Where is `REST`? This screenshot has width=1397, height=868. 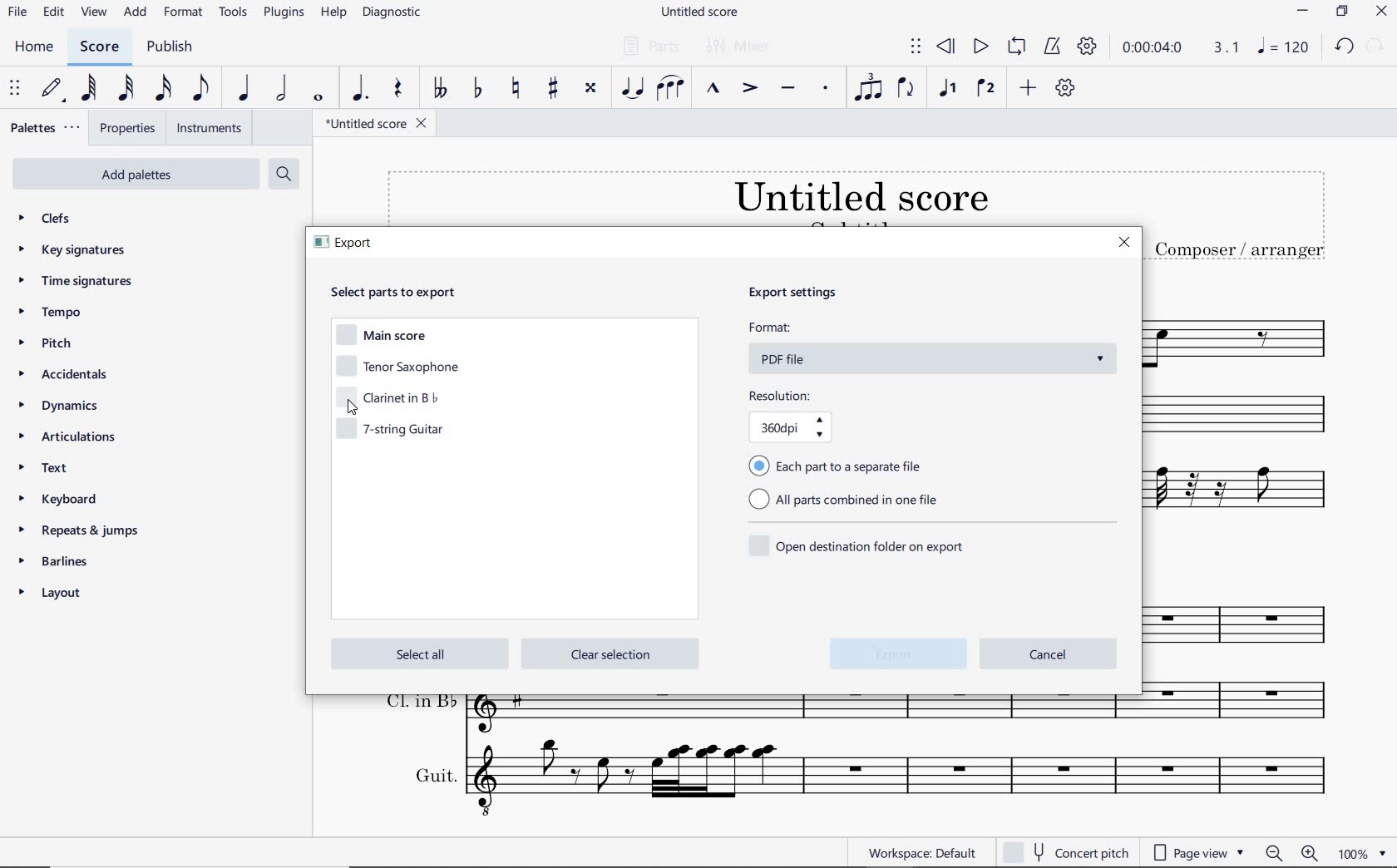
REST is located at coordinates (397, 89).